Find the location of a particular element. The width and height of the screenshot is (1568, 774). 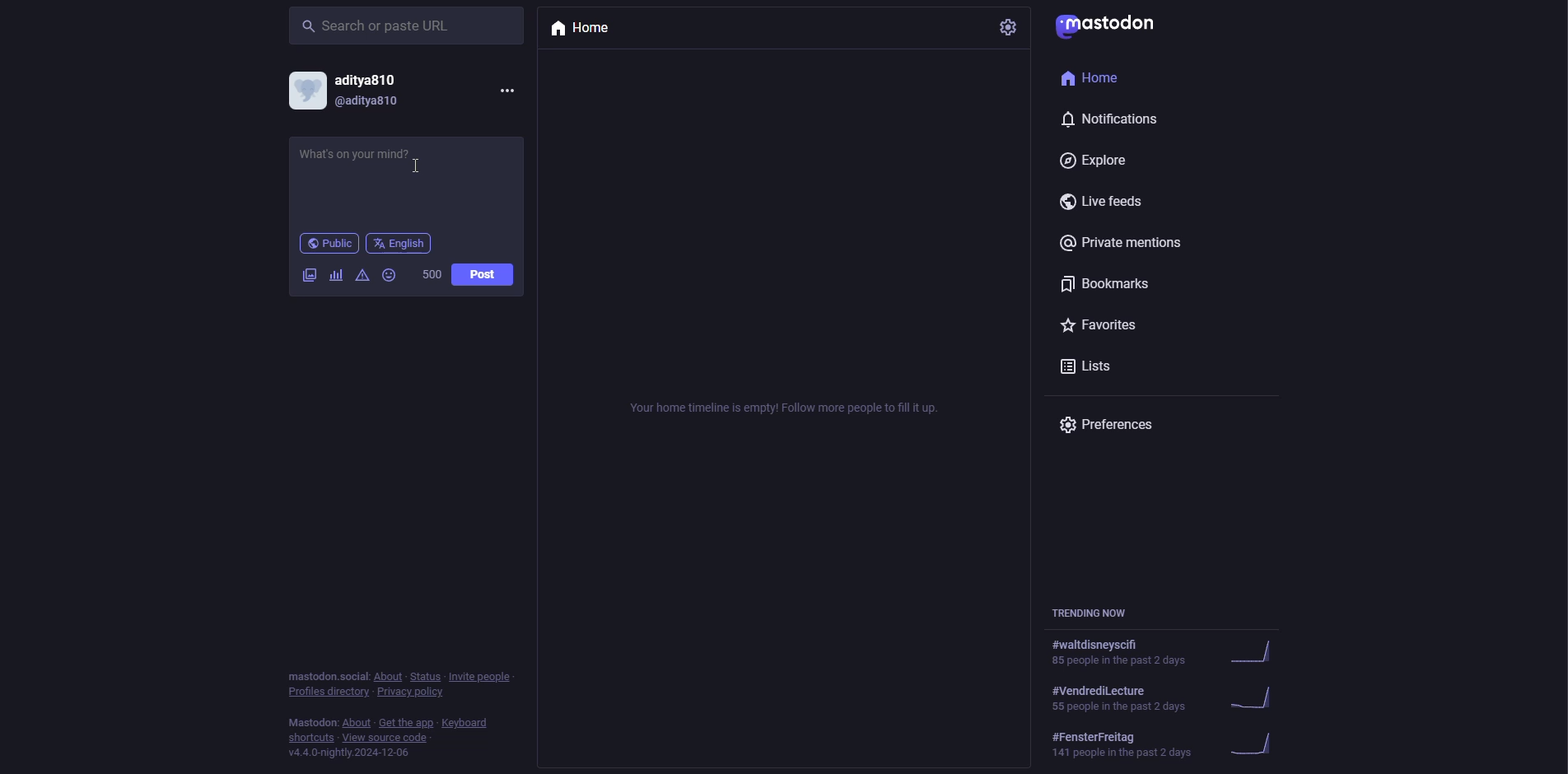

live feeds is located at coordinates (1104, 204).